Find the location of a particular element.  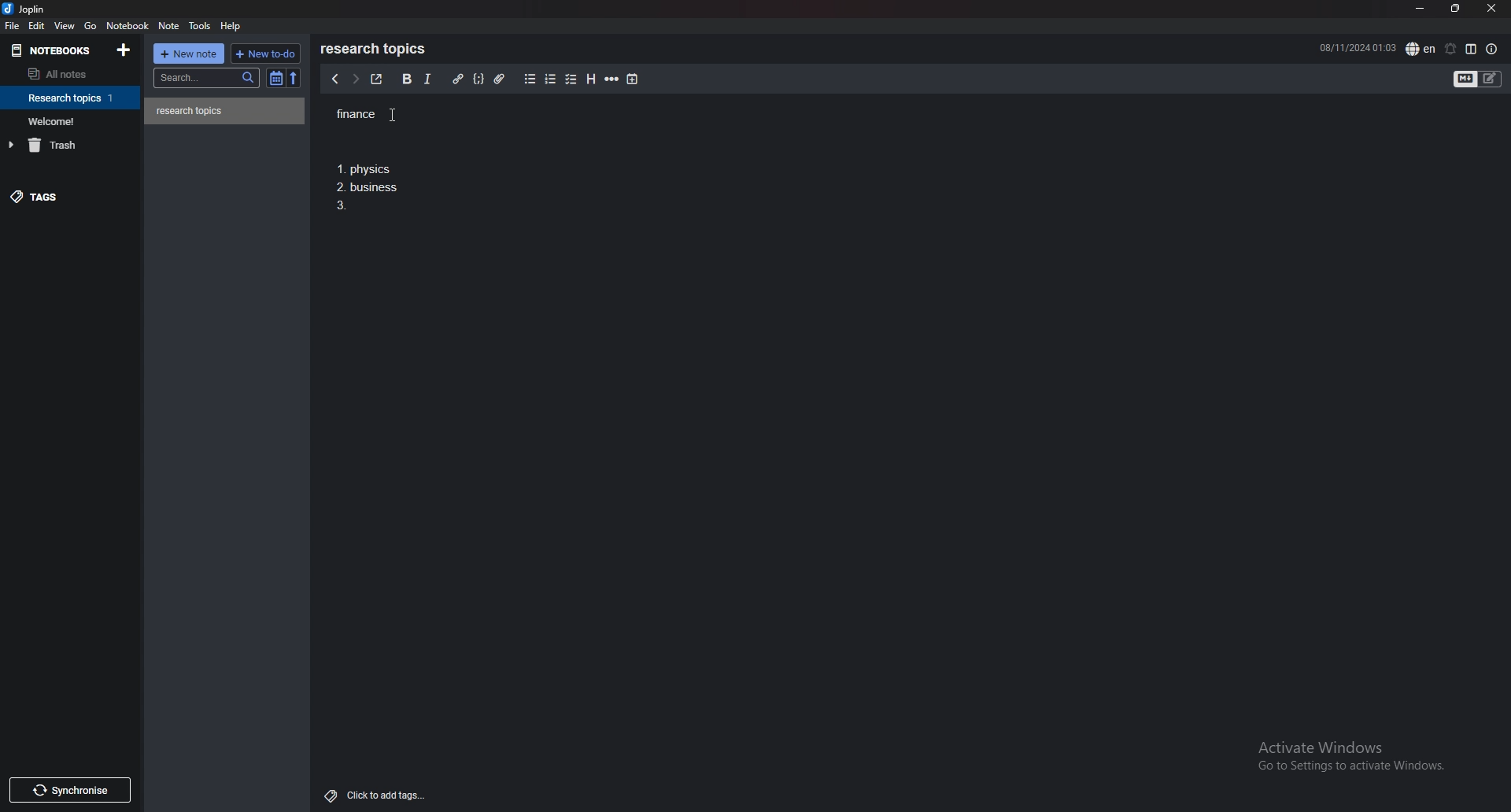

notebook is located at coordinates (72, 98).